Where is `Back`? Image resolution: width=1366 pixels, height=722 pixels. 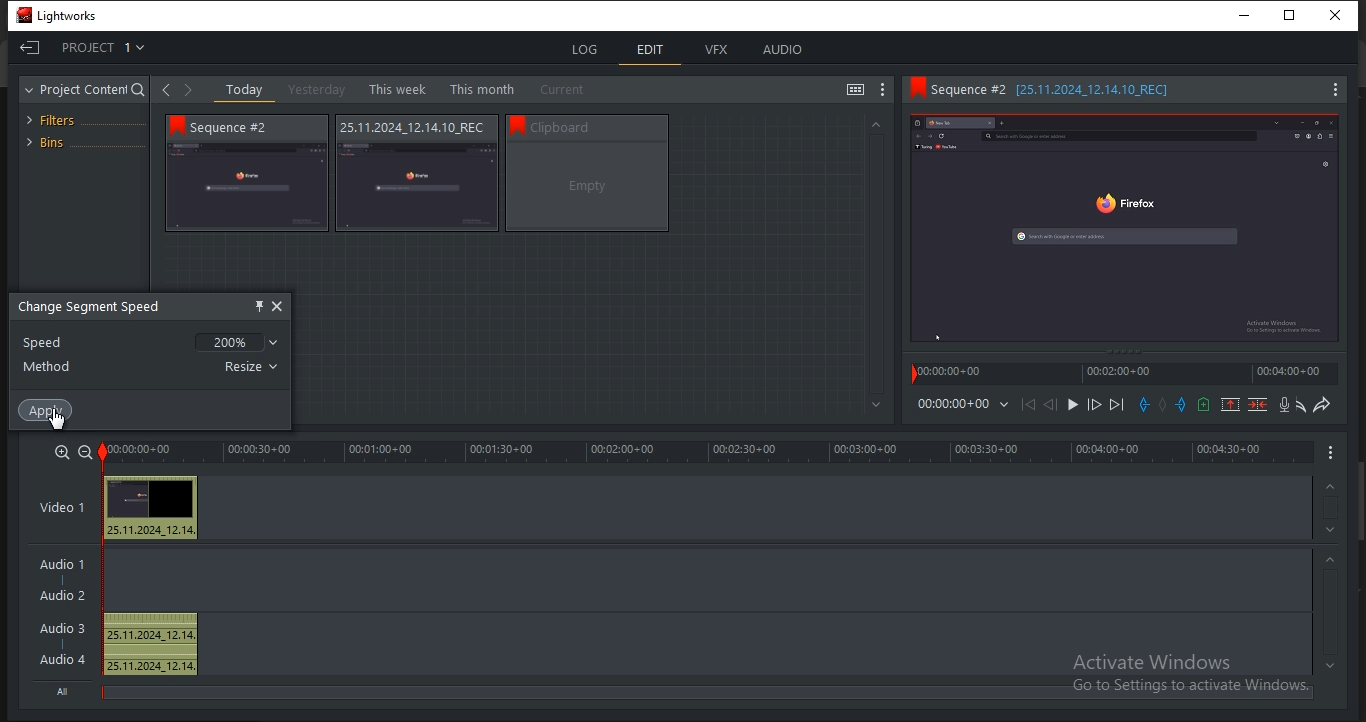
Back is located at coordinates (166, 90).